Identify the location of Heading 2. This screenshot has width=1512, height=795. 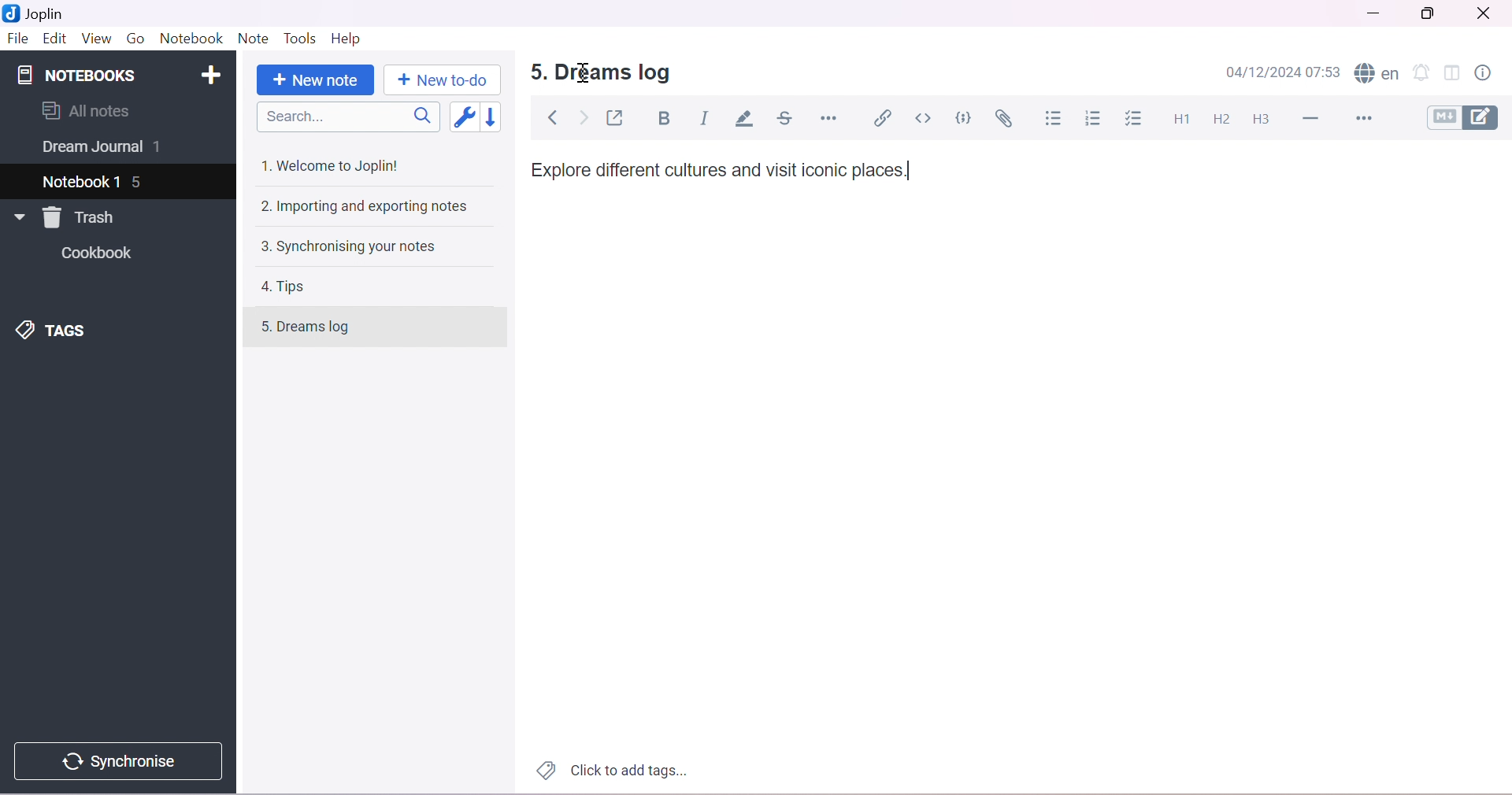
(1222, 120).